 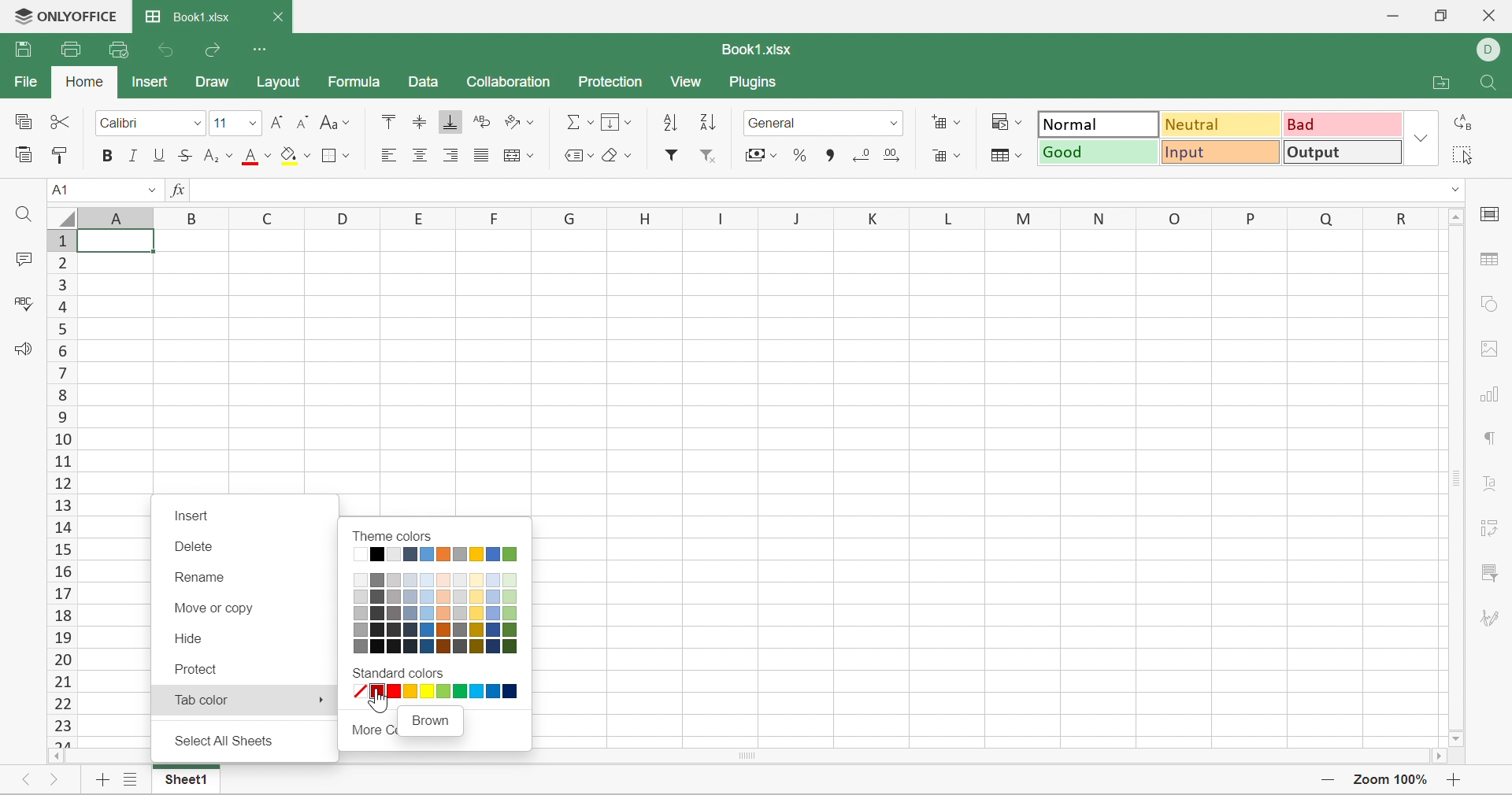 What do you see at coordinates (302, 123) in the screenshot?
I see `Decrease font size` at bounding box center [302, 123].